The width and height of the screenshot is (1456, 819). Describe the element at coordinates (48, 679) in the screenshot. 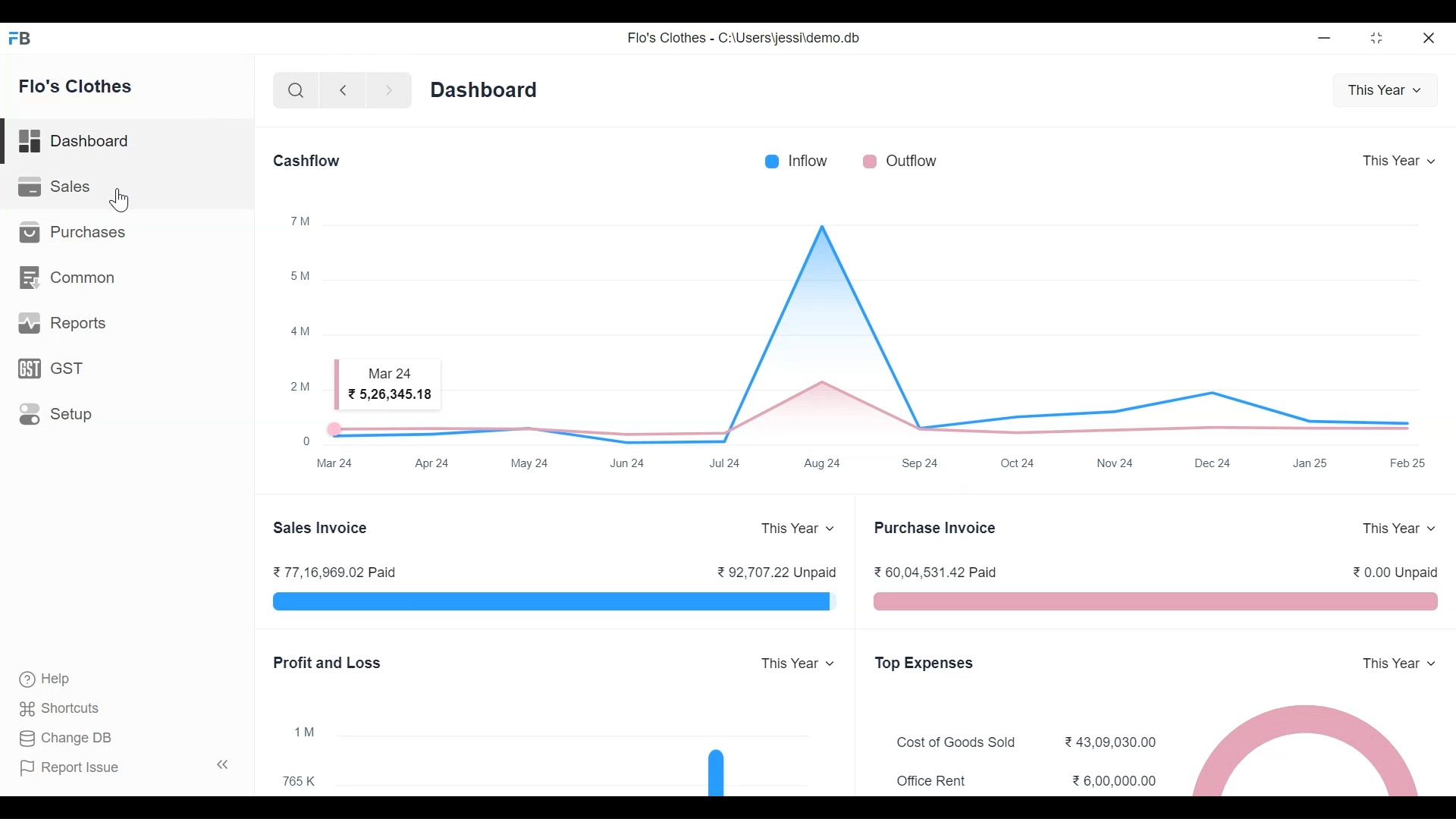

I see `Help` at that location.